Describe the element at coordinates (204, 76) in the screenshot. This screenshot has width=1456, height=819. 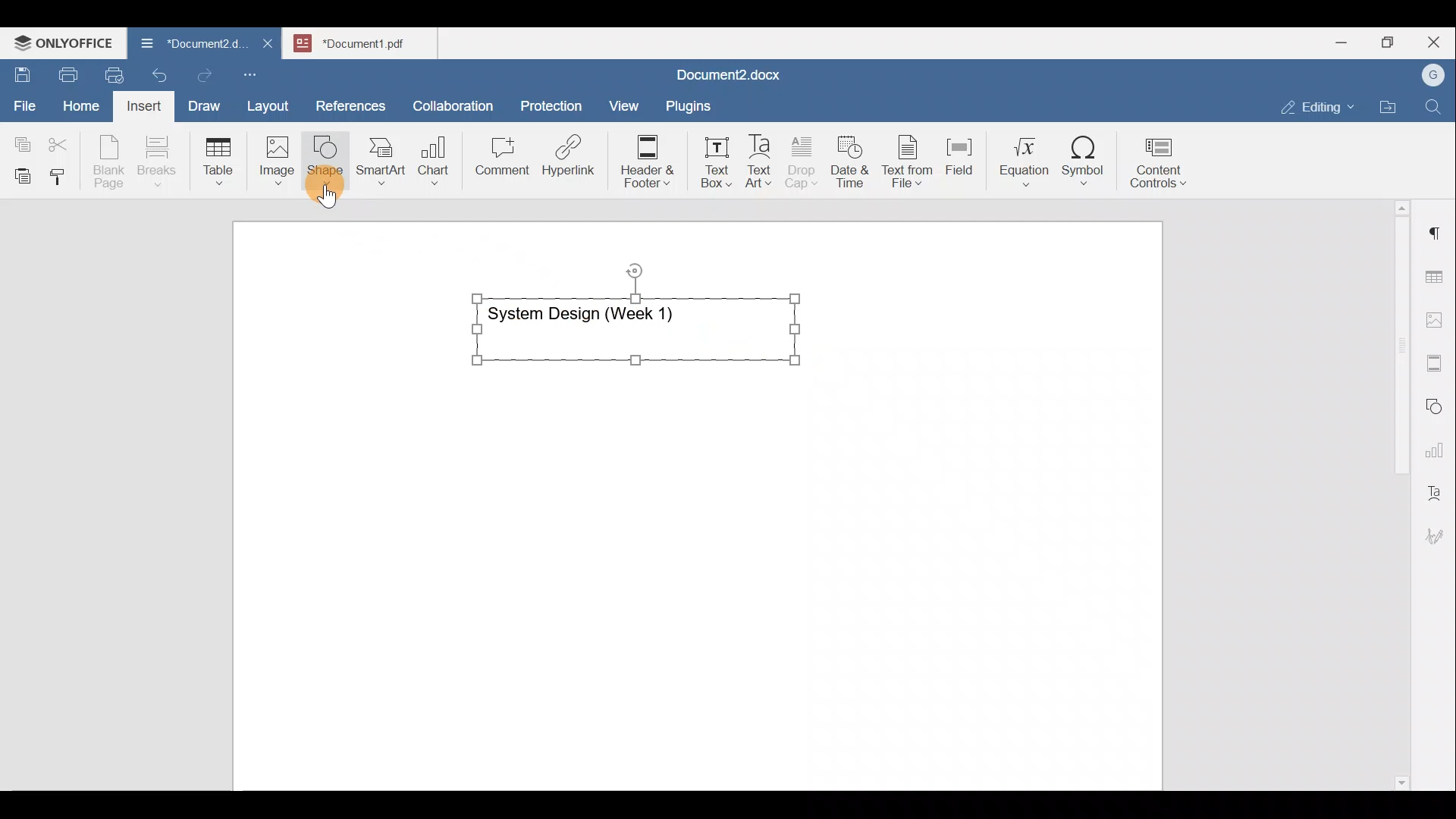
I see `Redo` at that location.